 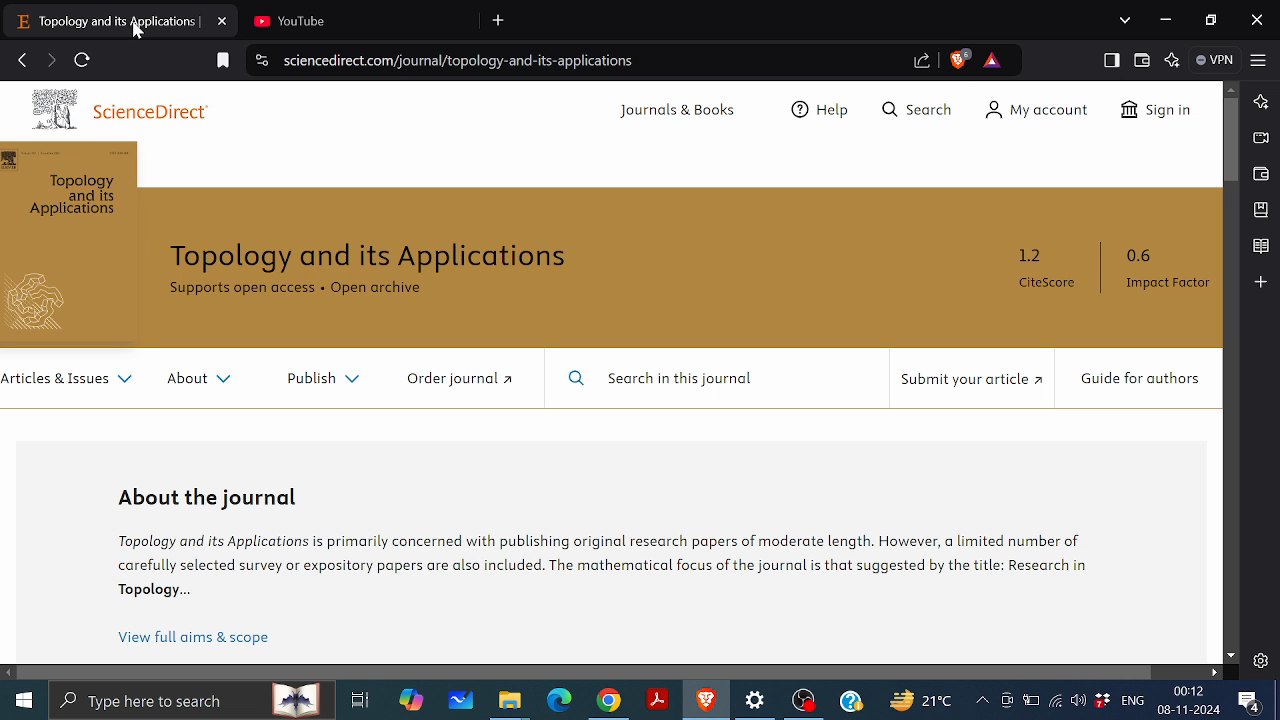 What do you see at coordinates (263, 62) in the screenshot?
I see `View cite information` at bounding box center [263, 62].